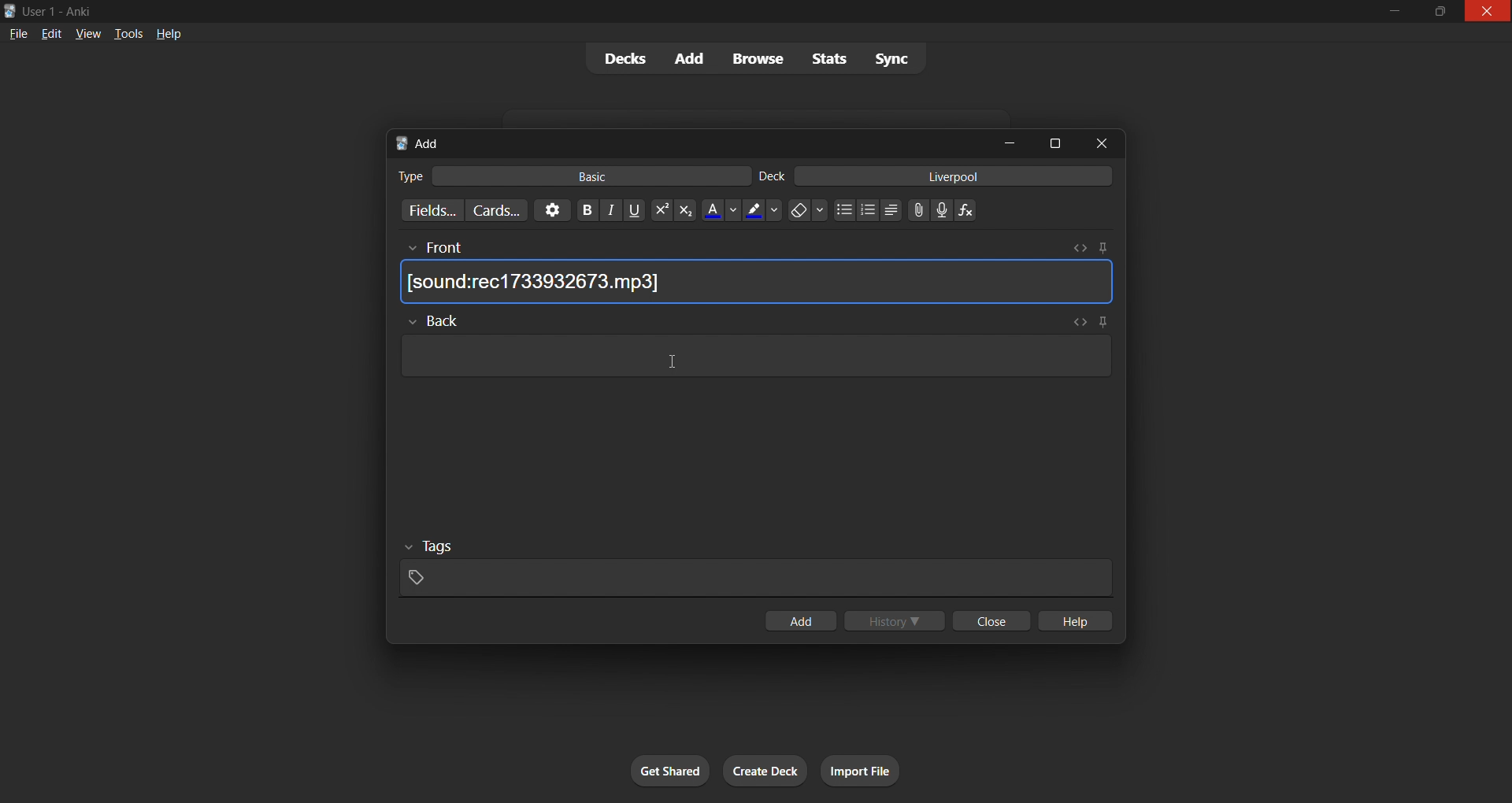  Describe the element at coordinates (762, 57) in the screenshot. I see `browse` at that location.